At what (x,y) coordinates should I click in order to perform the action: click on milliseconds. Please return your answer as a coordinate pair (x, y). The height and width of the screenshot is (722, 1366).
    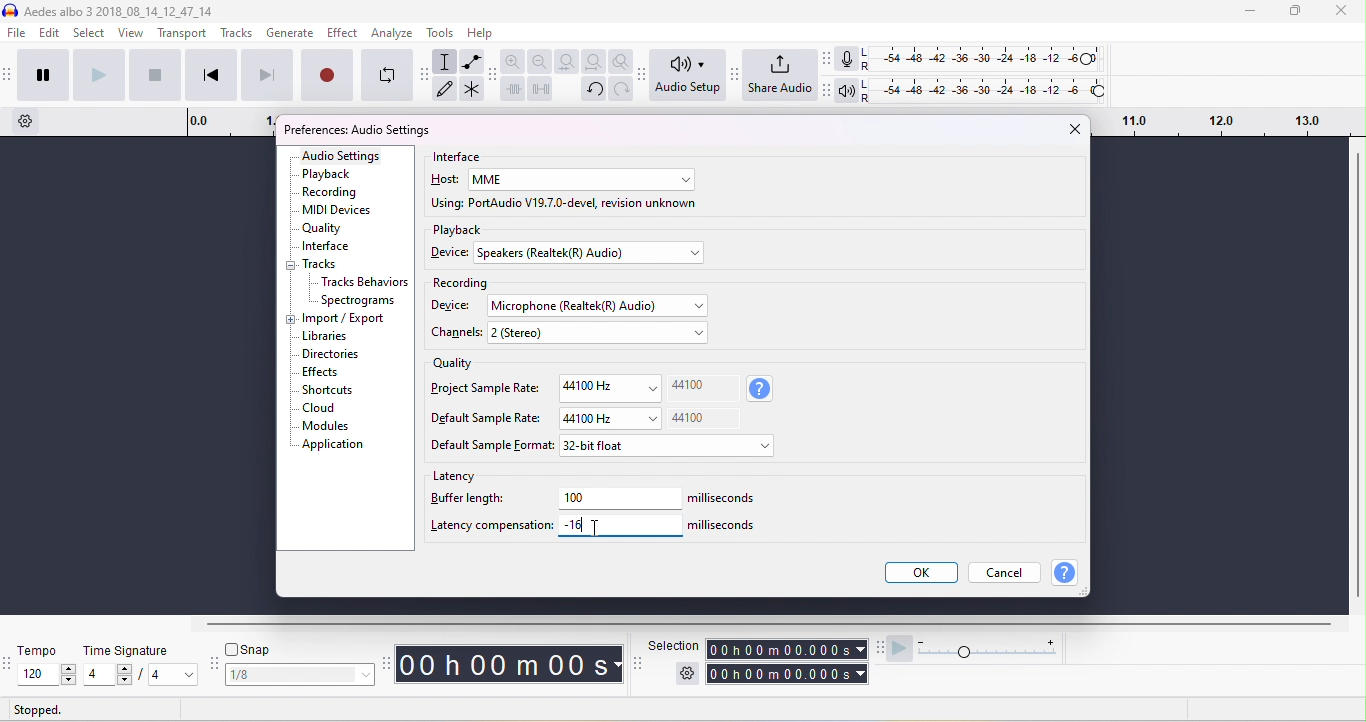
    Looking at the image, I should click on (724, 524).